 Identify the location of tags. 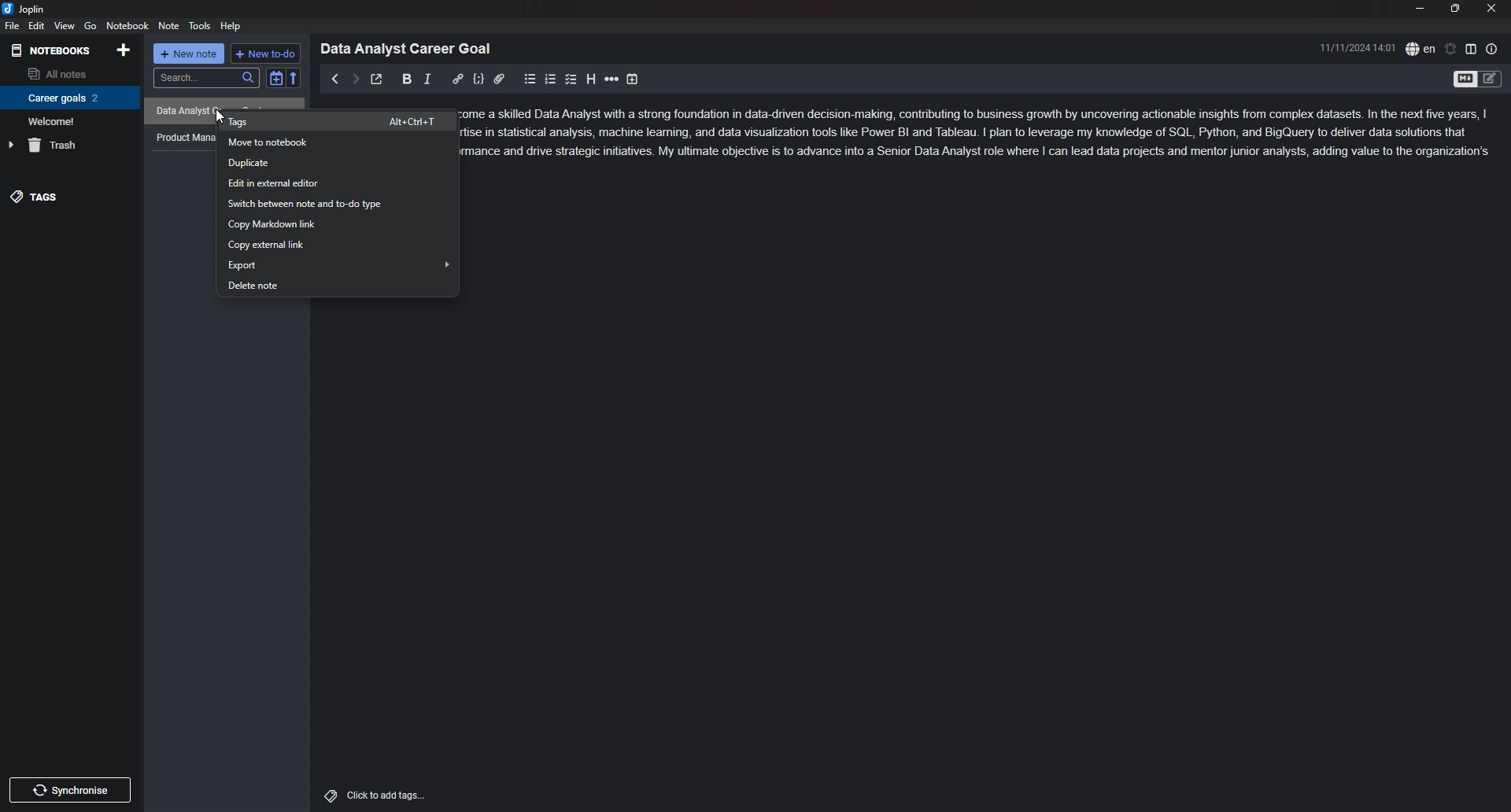
(340, 120).